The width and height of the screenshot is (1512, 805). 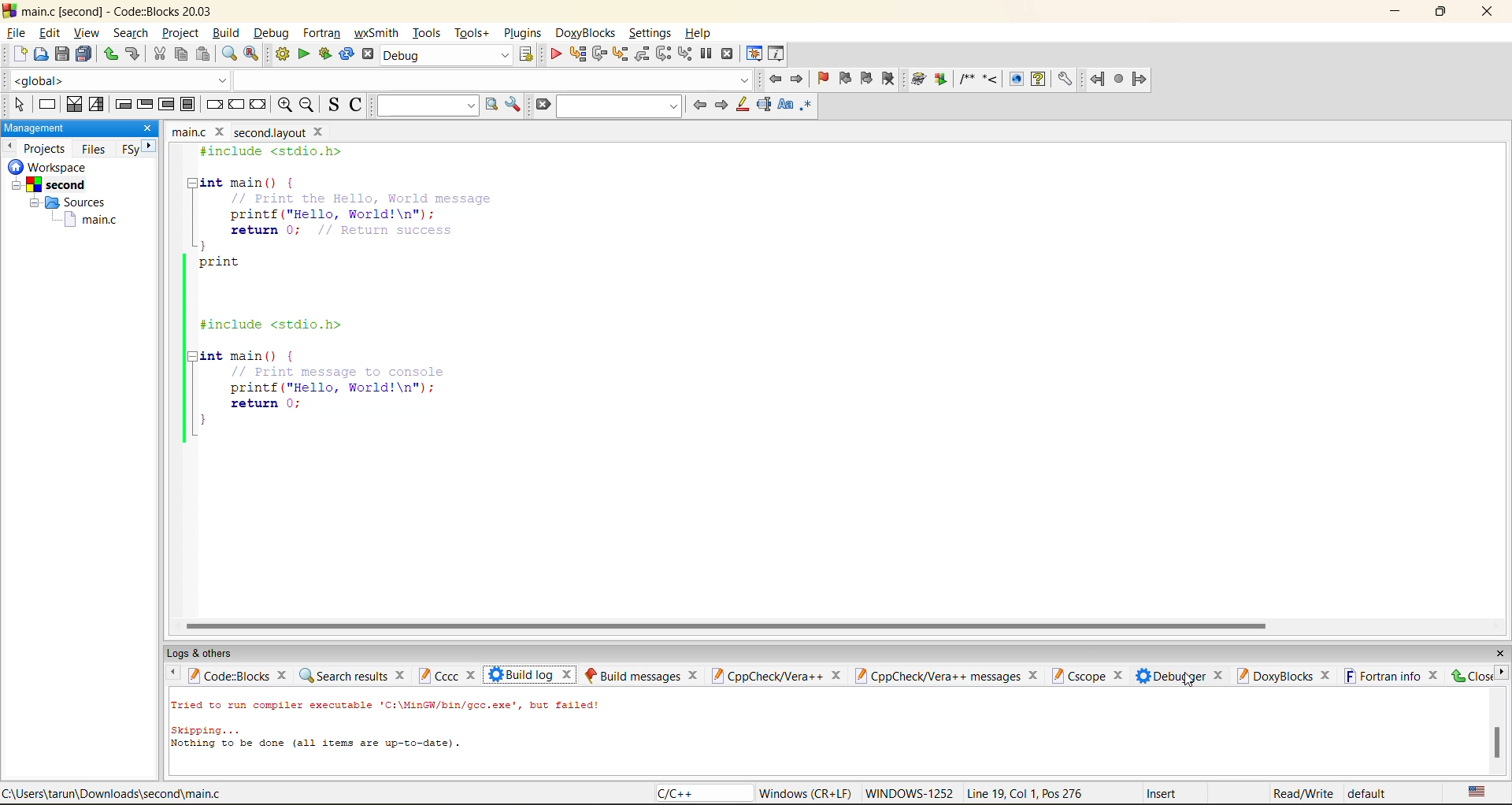 What do you see at coordinates (1477, 792) in the screenshot?
I see `text language` at bounding box center [1477, 792].